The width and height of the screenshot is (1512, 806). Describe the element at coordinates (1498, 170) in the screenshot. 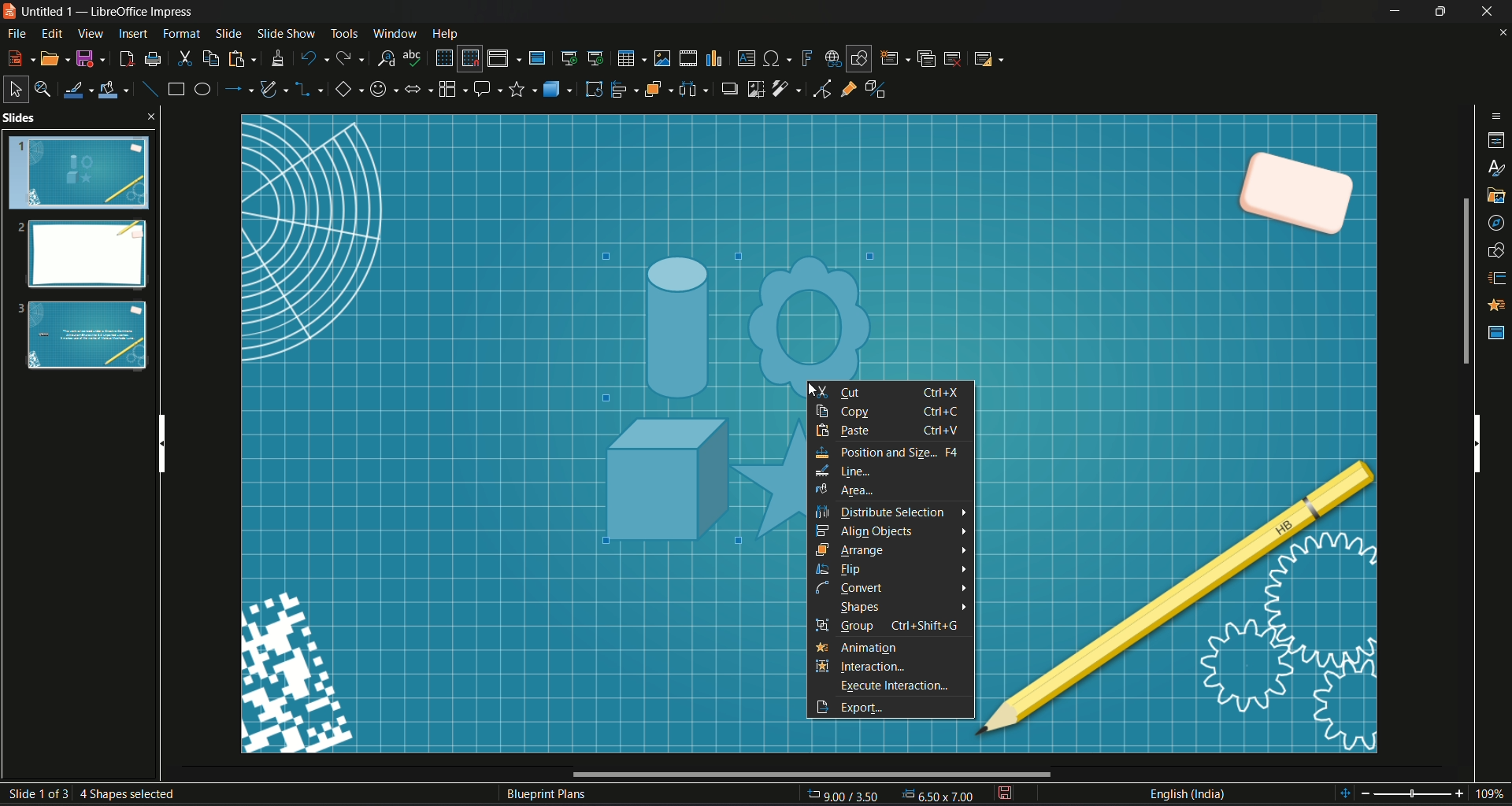

I see `styles` at that location.